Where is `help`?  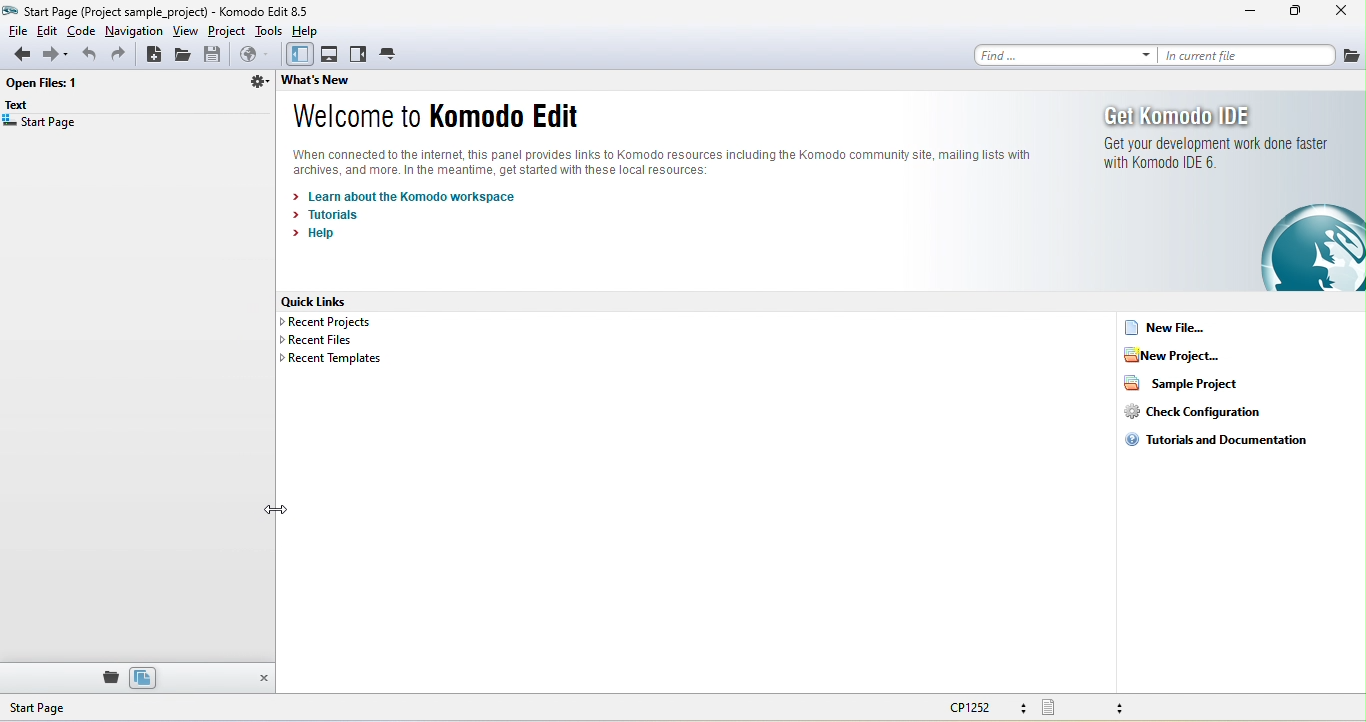 help is located at coordinates (318, 237).